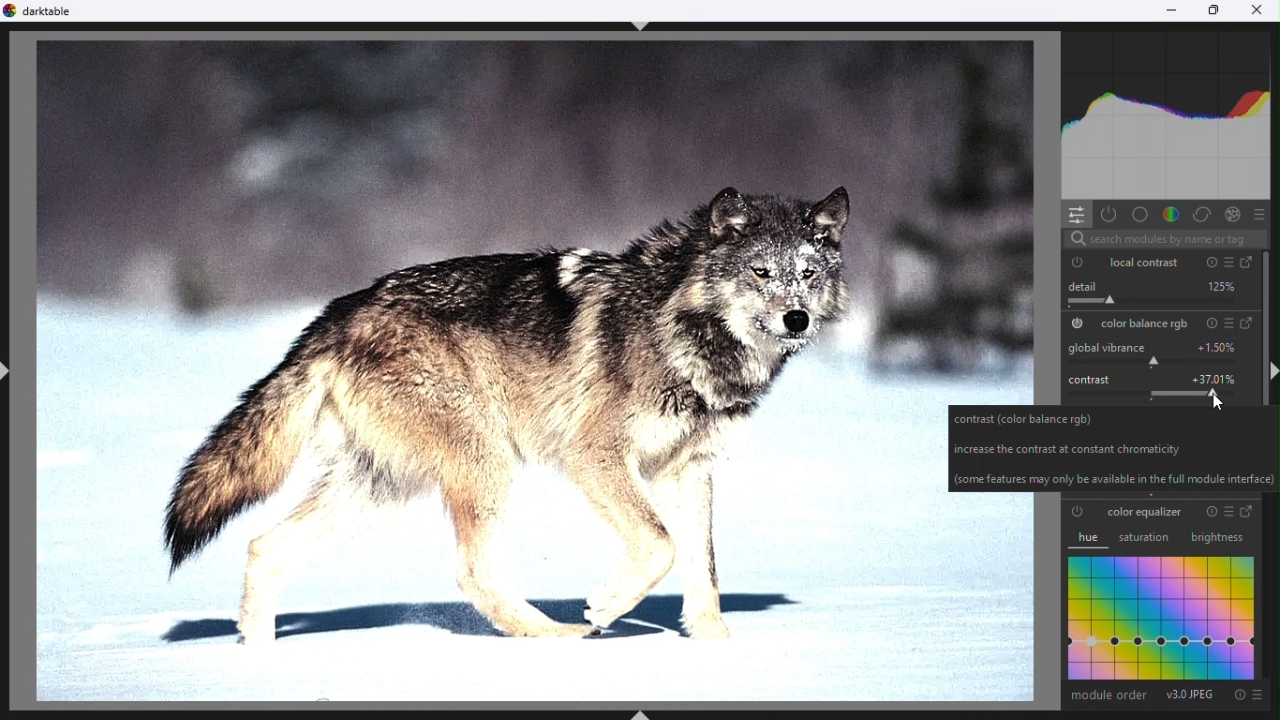 The height and width of the screenshot is (720, 1280). I want to click on base, so click(1141, 213).